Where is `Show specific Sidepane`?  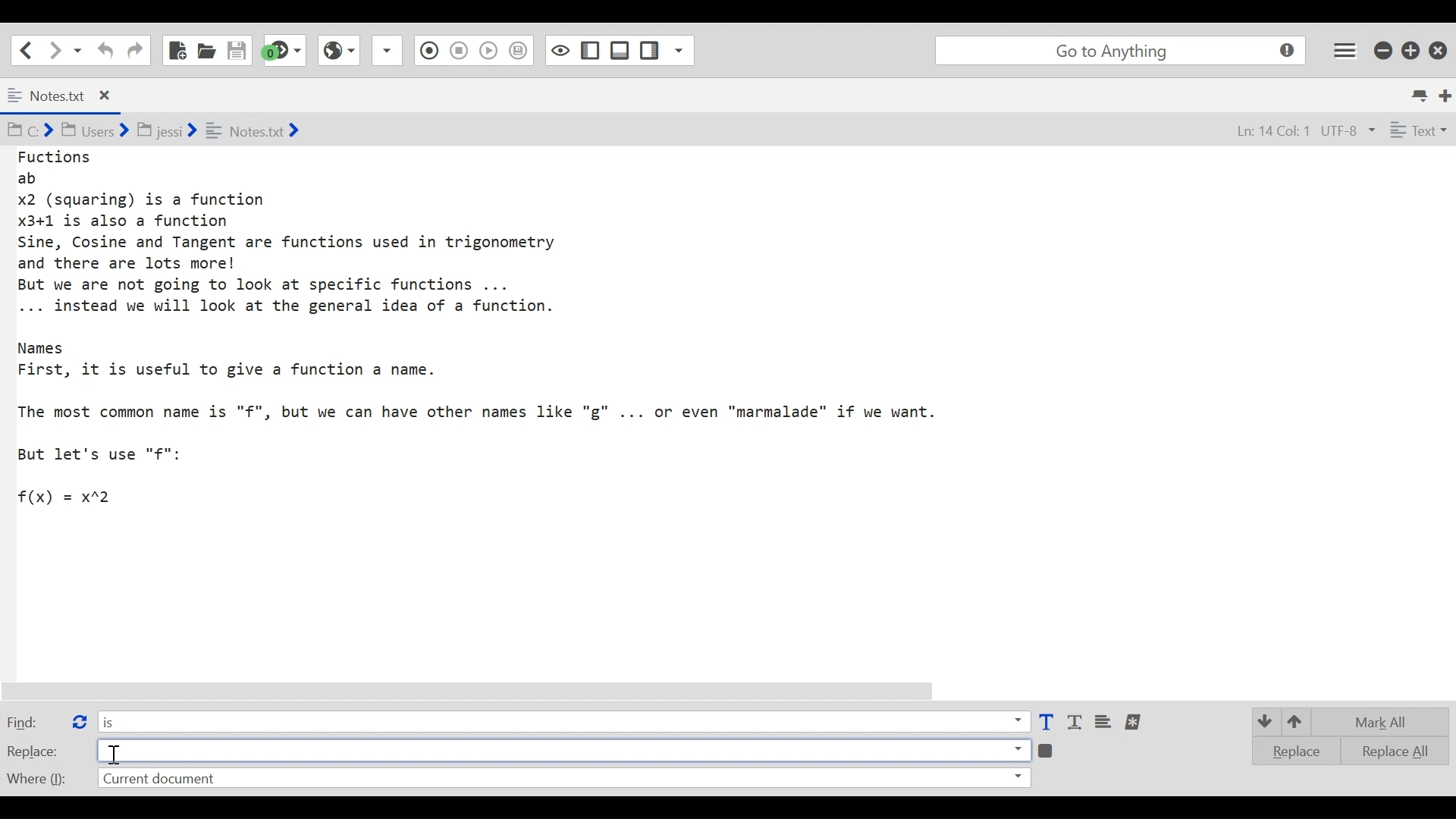
Show specific Sidepane is located at coordinates (667, 51).